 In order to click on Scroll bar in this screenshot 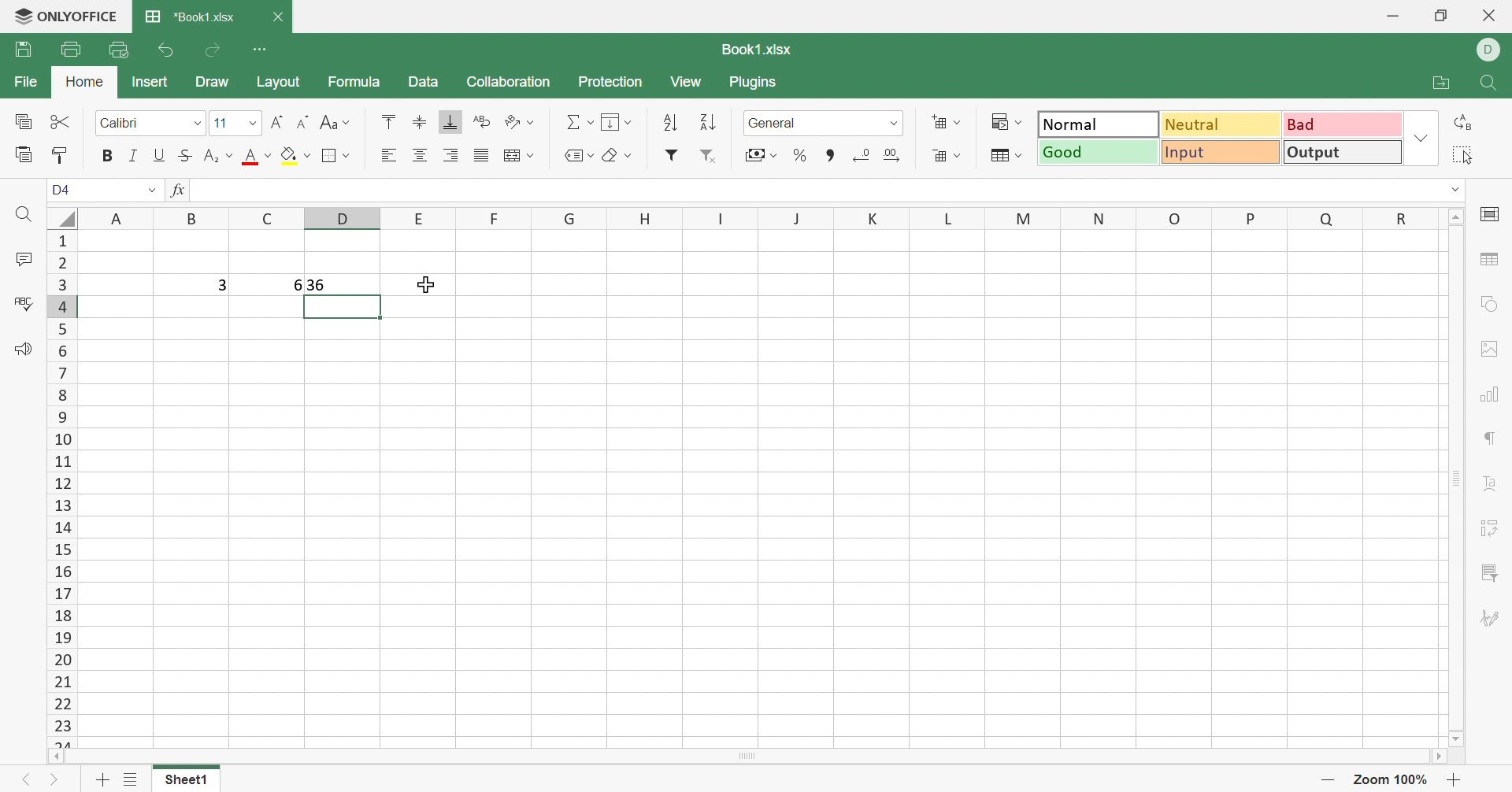, I will do `click(1458, 477)`.